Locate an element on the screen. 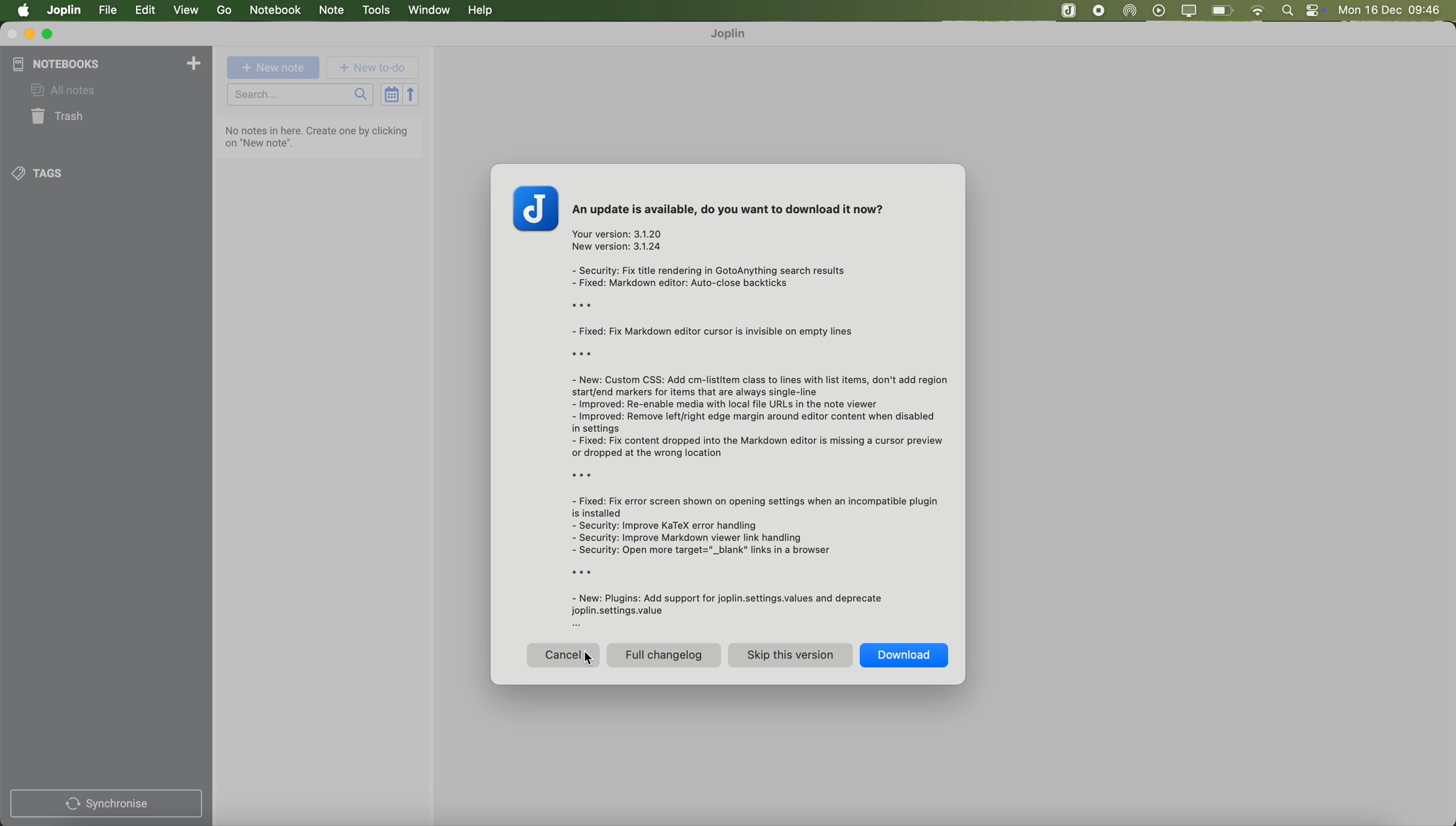 The height and width of the screenshot is (826, 1456). stop recording is located at coordinates (1069, 11).